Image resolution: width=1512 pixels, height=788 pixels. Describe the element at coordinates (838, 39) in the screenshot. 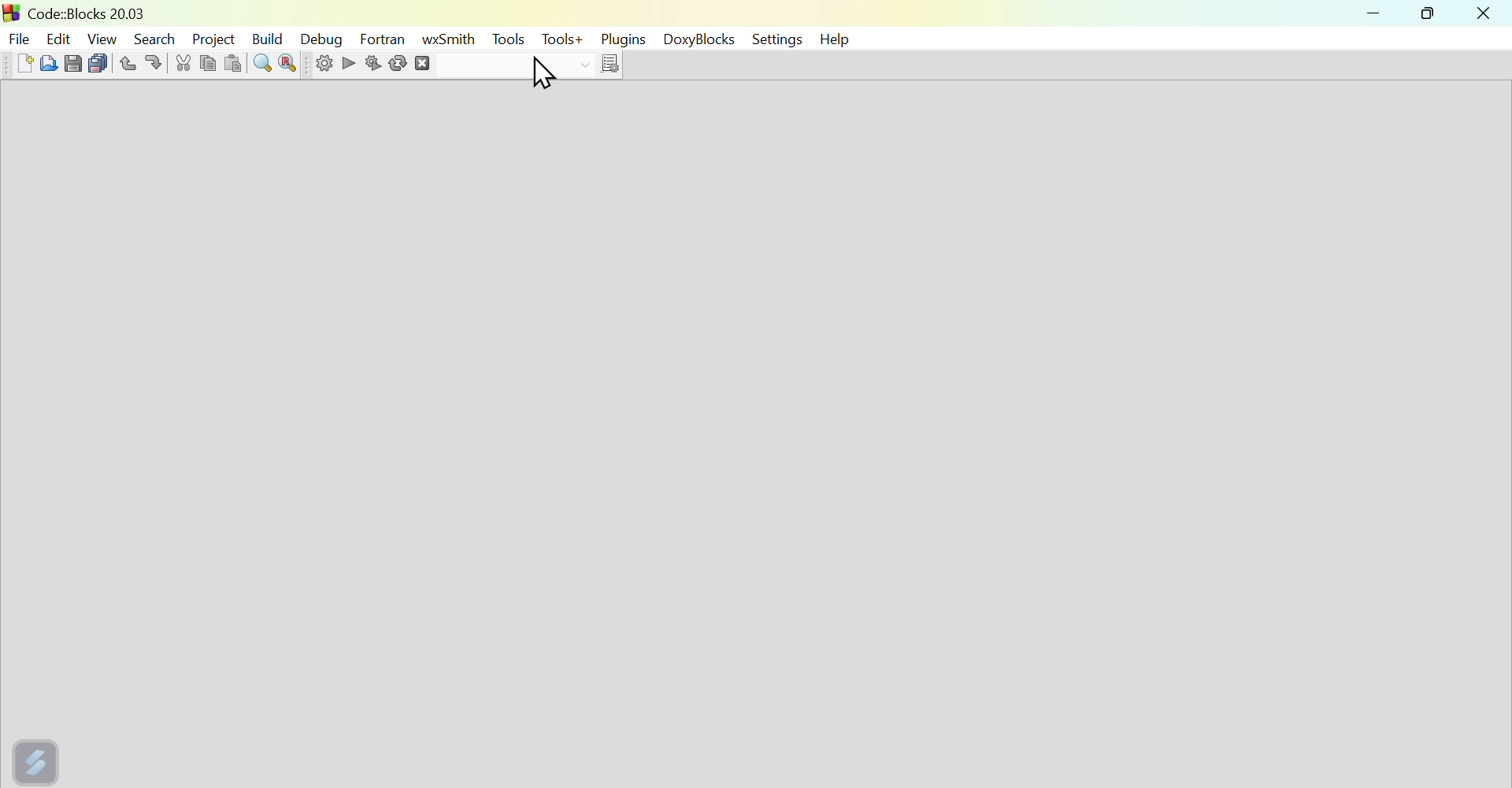

I see `Help` at that location.